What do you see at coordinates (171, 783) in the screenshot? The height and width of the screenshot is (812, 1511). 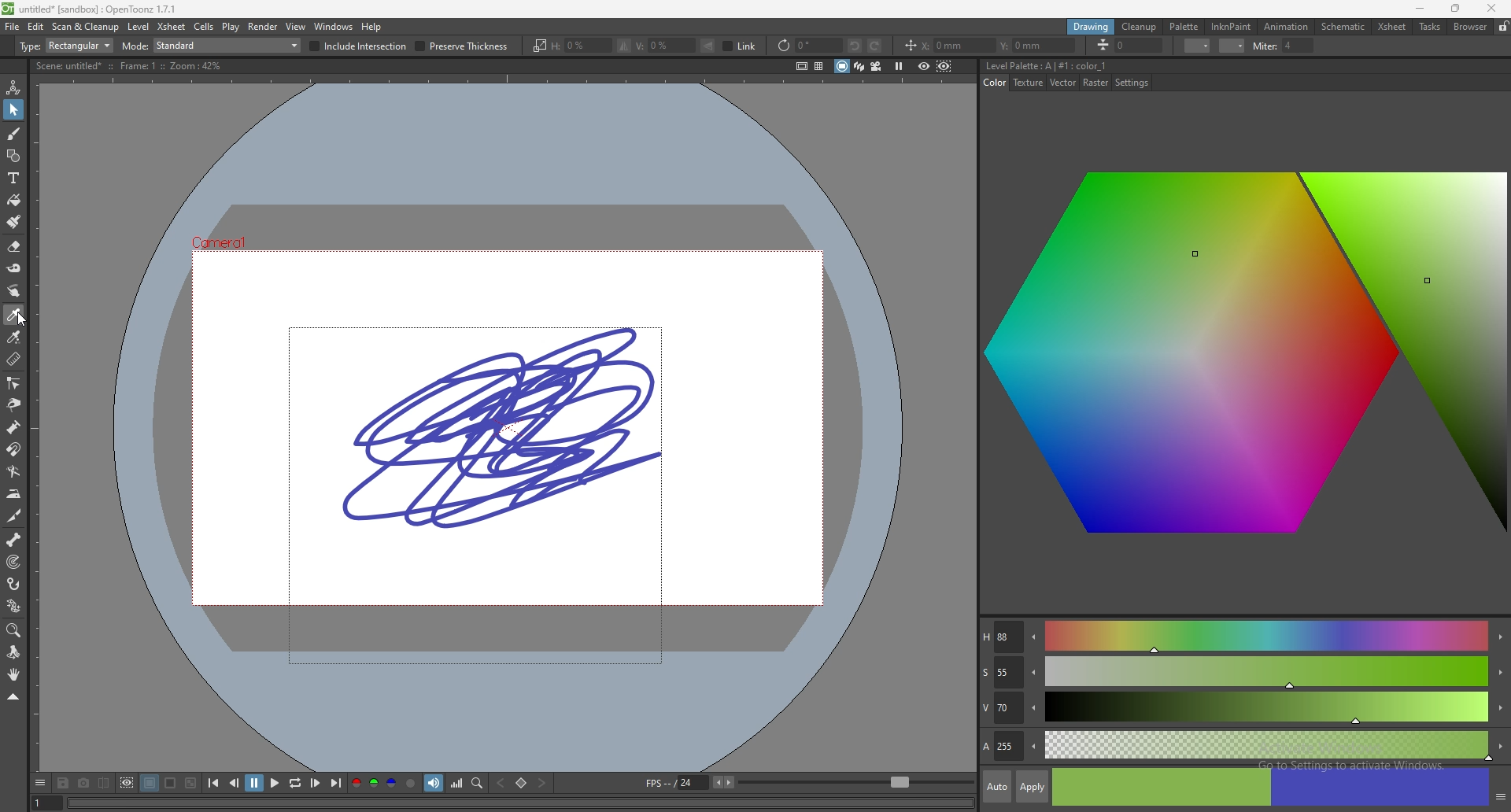 I see `white background` at bounding box center [171, 783].